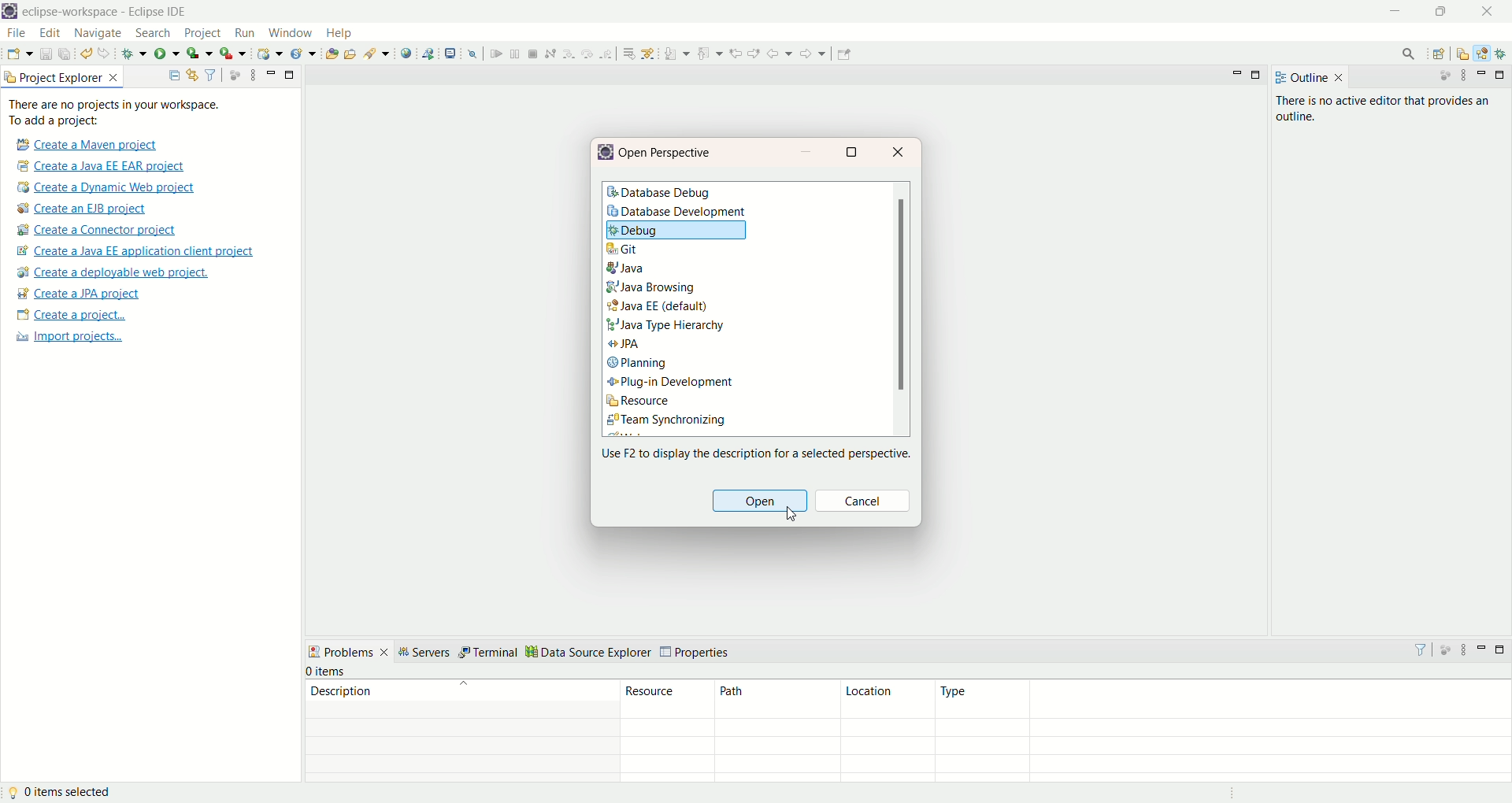 The width and height of the screenshot is (1512, 803). What do you see at coordinates (627, 55) in the screenshot?
I see `drop to frame` at bounding box center [627, 55].